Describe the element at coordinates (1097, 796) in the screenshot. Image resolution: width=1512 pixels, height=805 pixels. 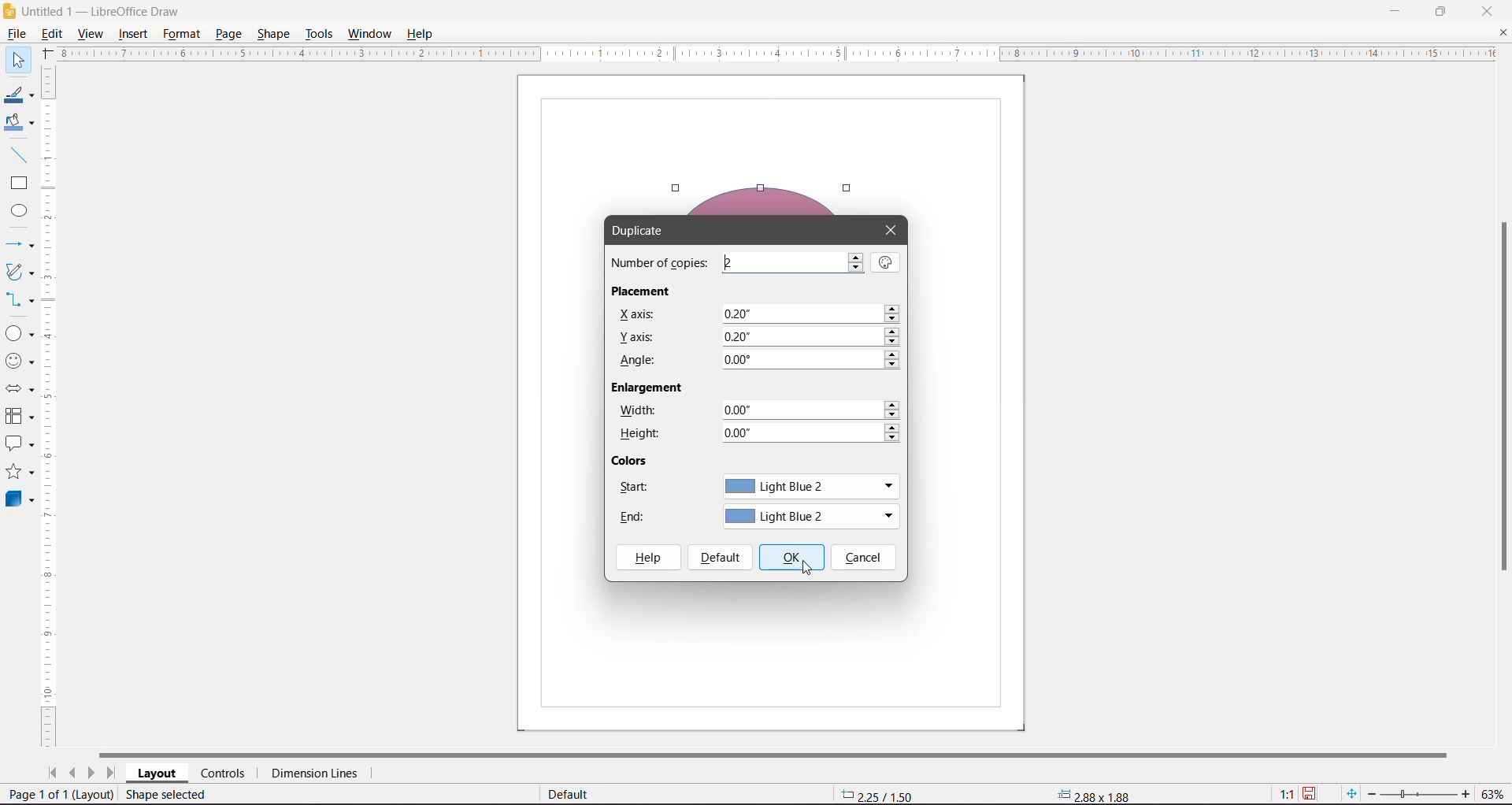
I see `Object size` at that location.